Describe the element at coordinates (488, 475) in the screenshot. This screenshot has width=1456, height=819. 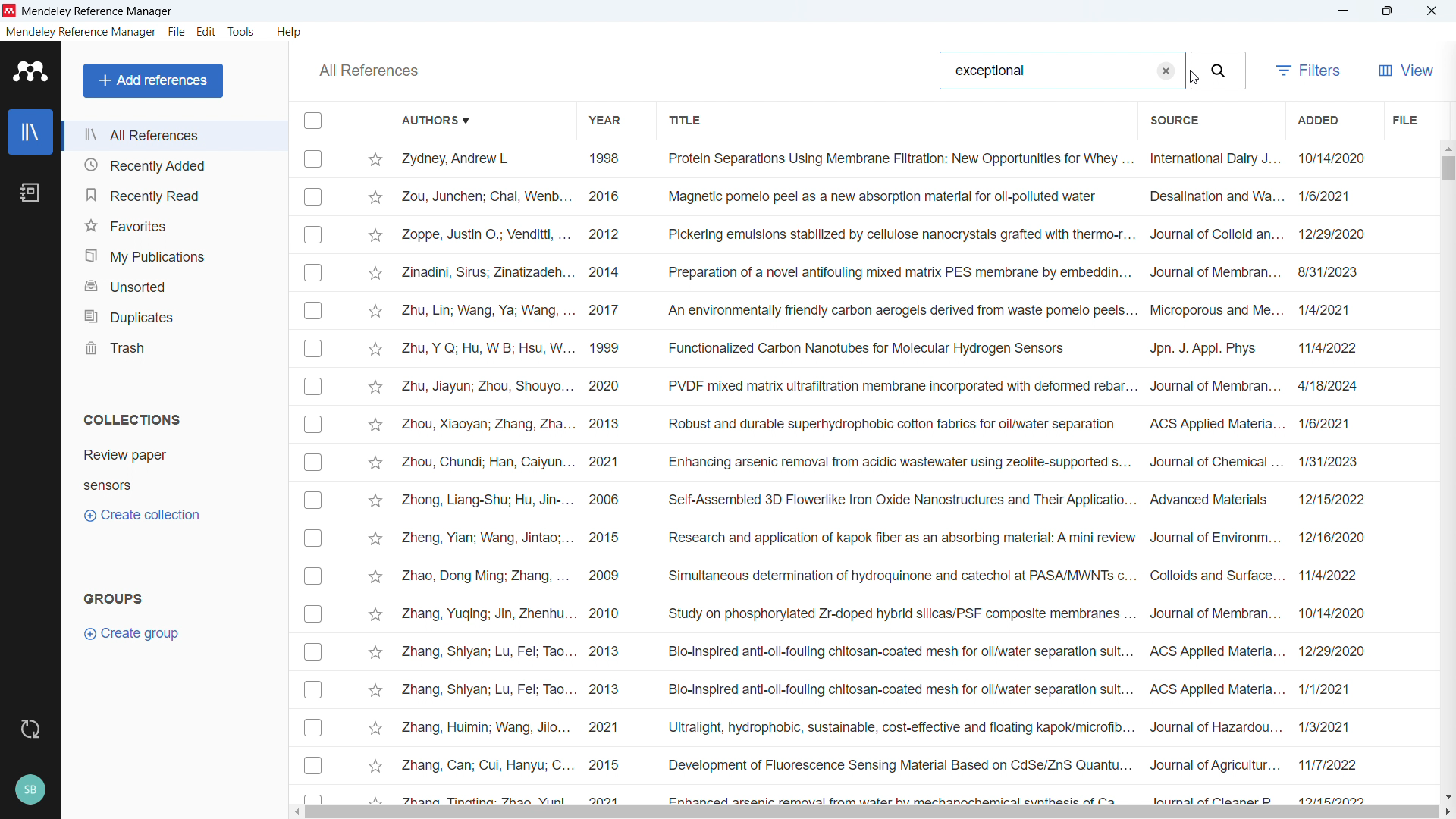
I see `Authors of individual entries ` at that location.